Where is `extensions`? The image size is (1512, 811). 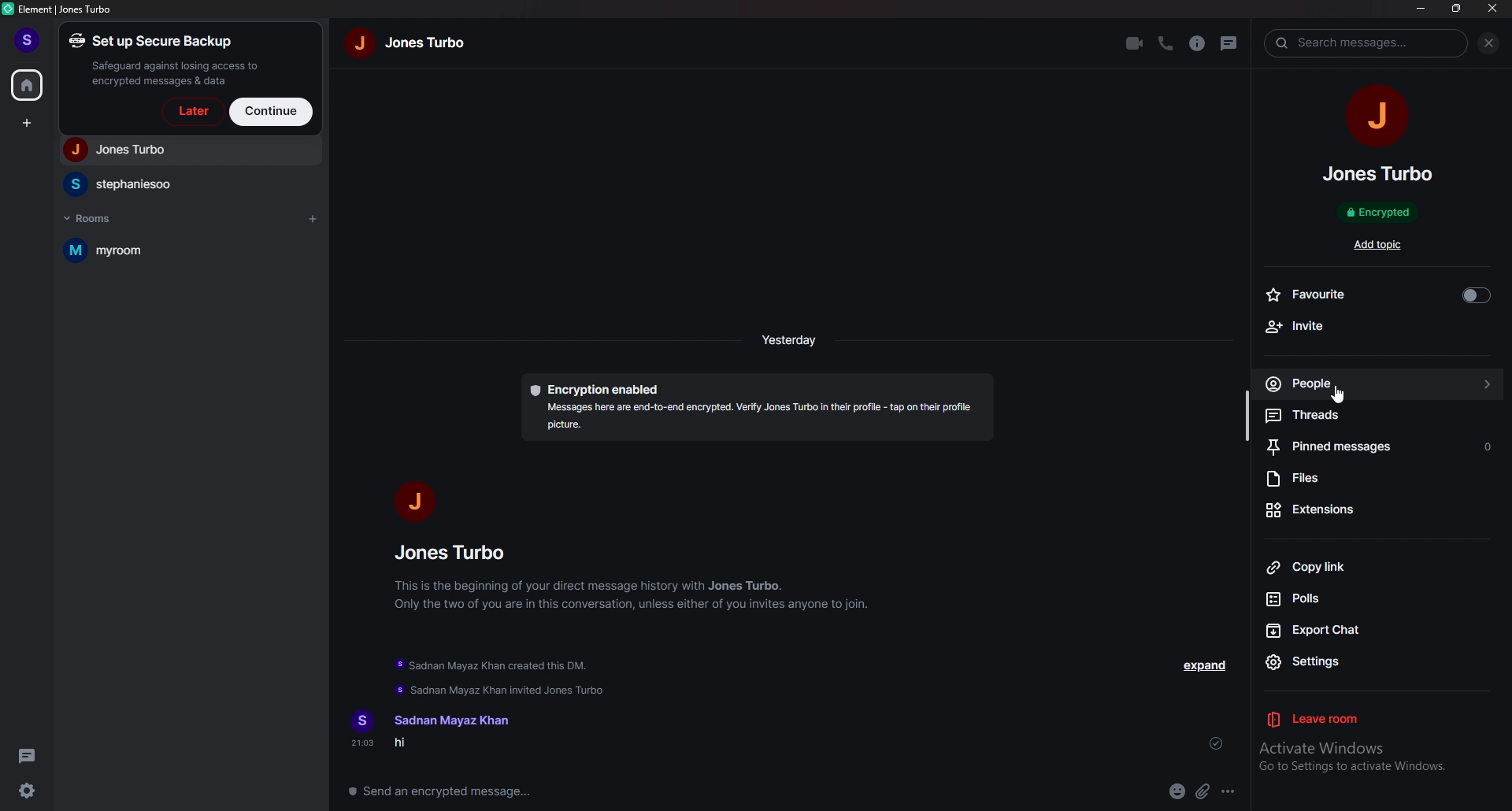
extensions is located at coordinates (1374, 509).